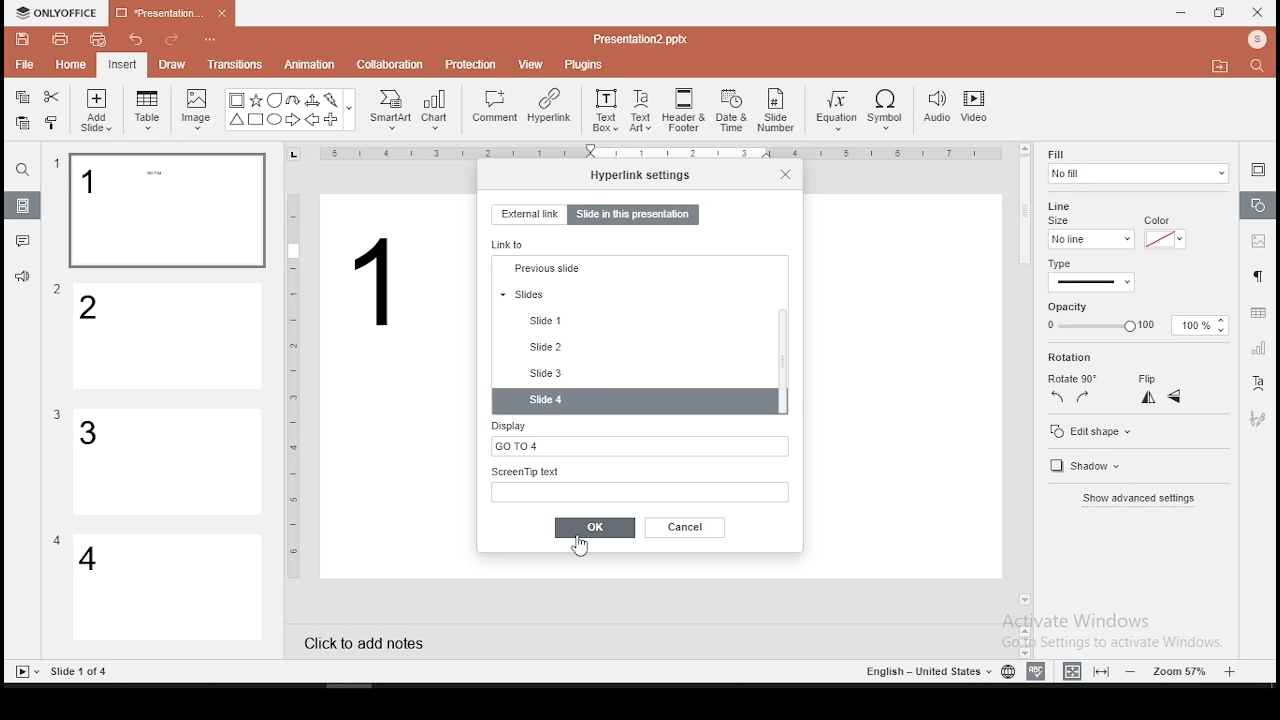  I want to click on ok, so click(595, 528).